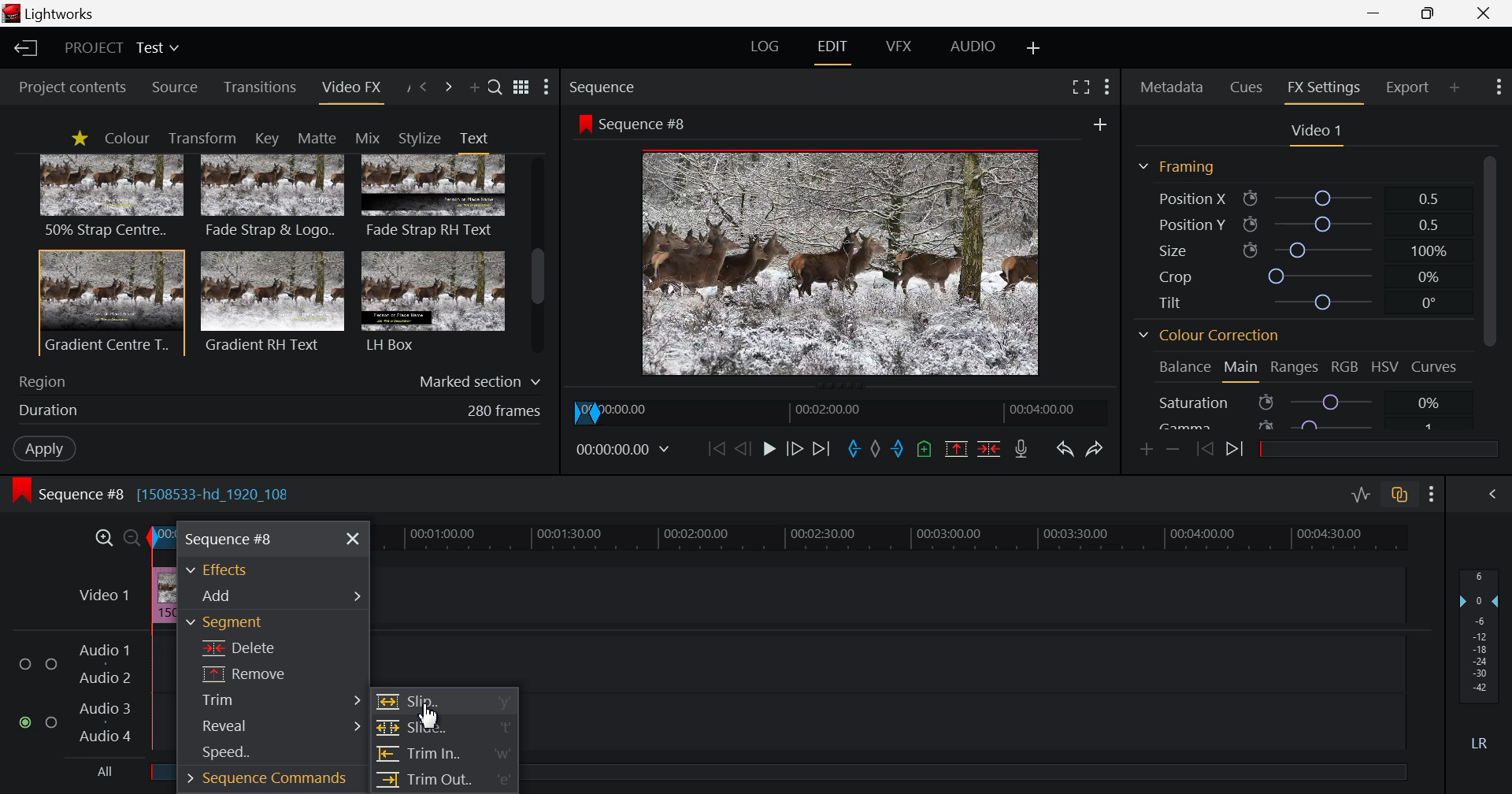  Describe the element at coordinates (132, 534) in the screenshot. I see `Timeline Zoom Out` at that location.